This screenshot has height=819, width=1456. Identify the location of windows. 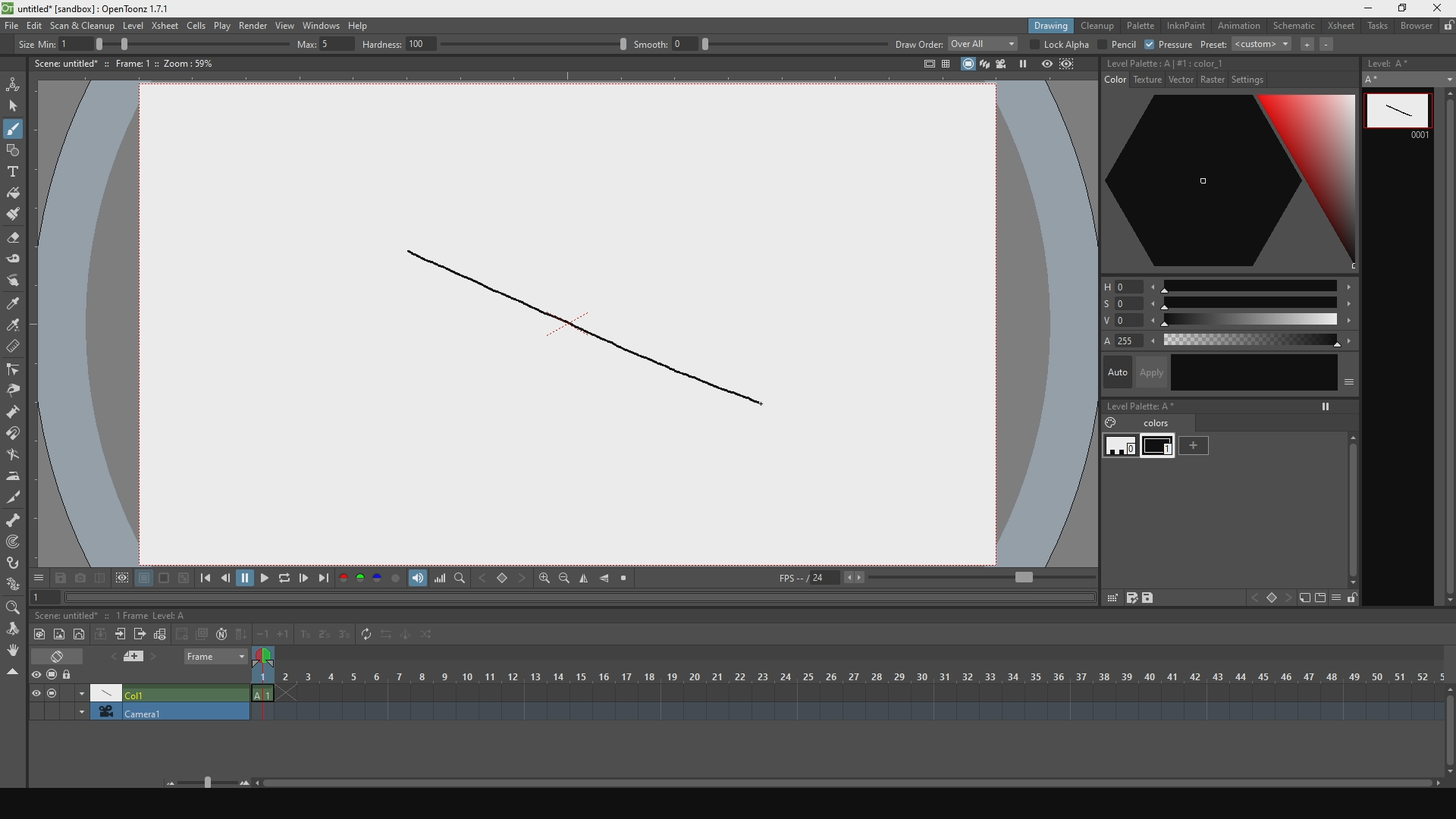
(320, 23).